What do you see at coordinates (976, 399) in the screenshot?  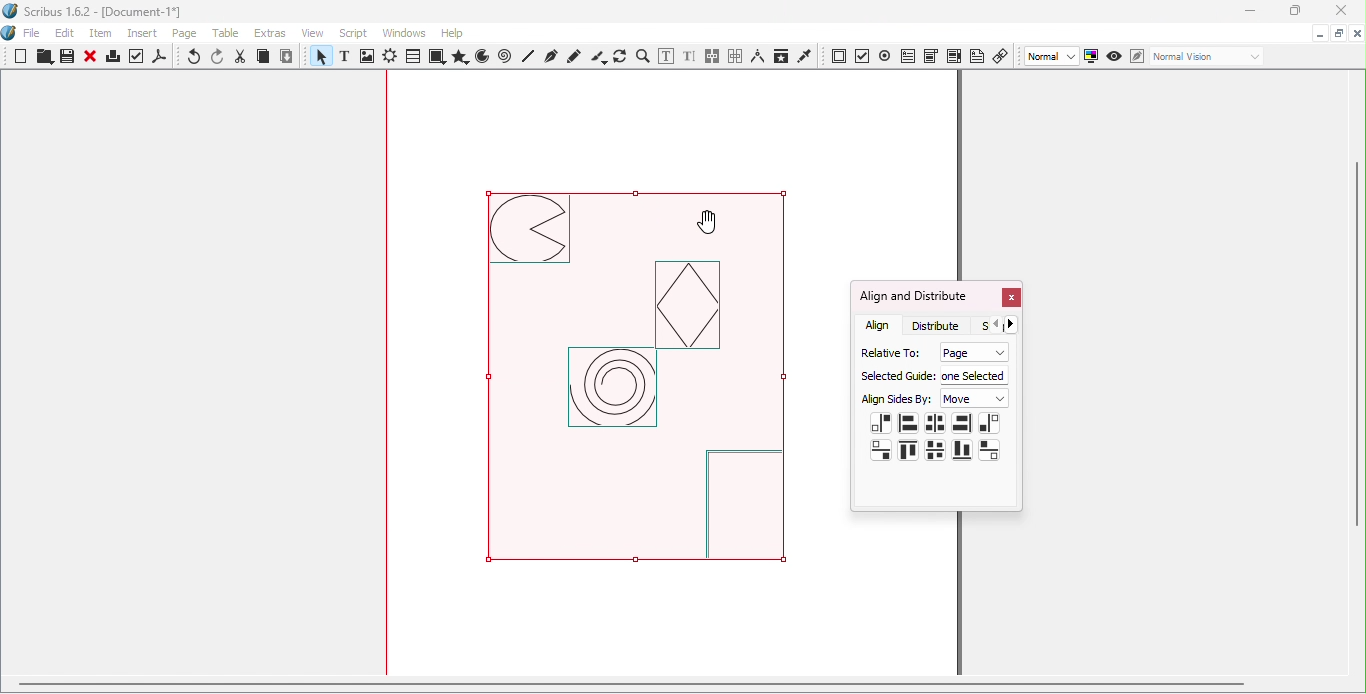 I see `Move` at bounding box center [976, 399].